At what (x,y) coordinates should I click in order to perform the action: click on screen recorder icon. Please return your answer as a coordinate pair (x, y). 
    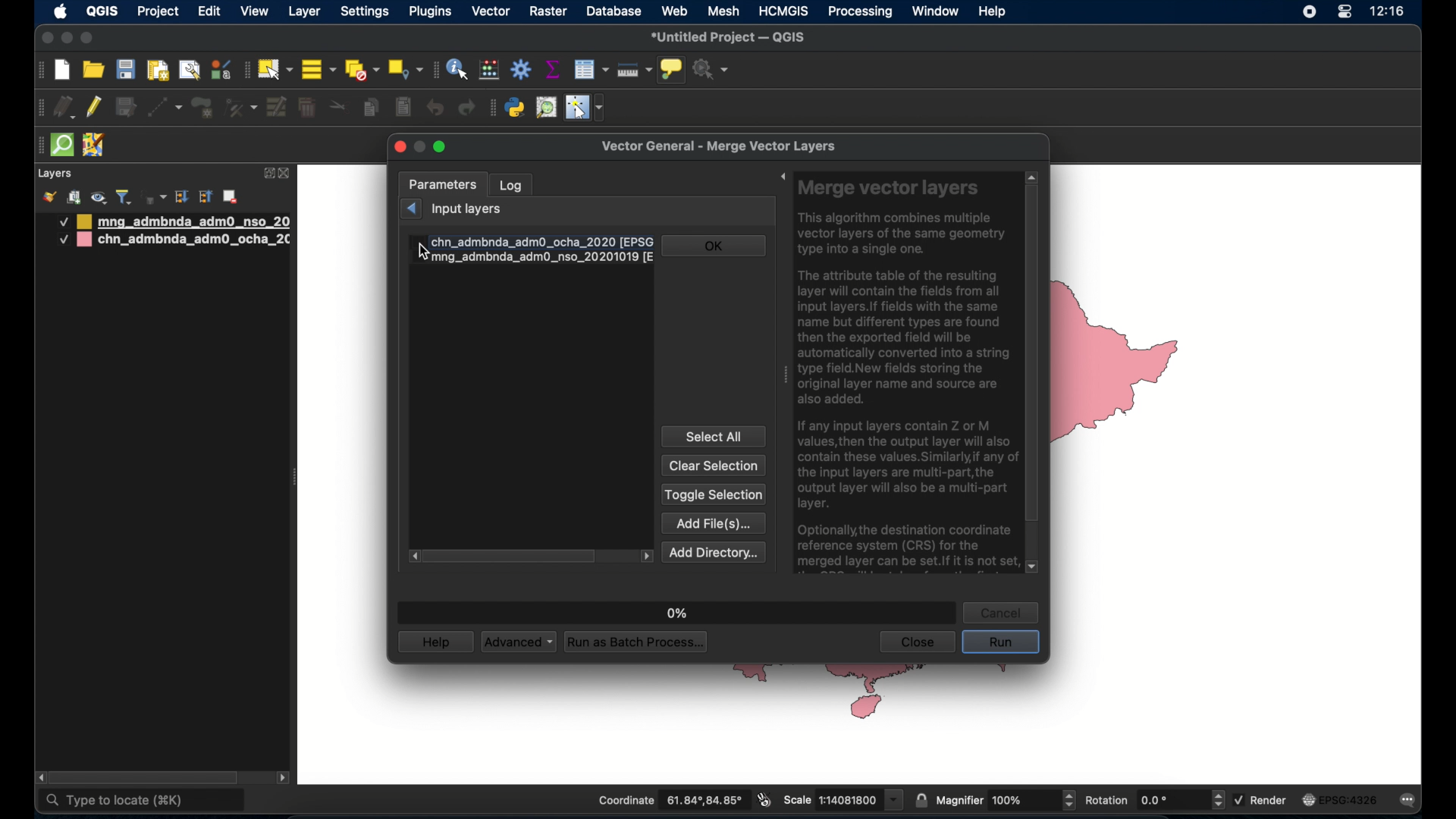
    Looking at the image, I should click on (1307, 12).